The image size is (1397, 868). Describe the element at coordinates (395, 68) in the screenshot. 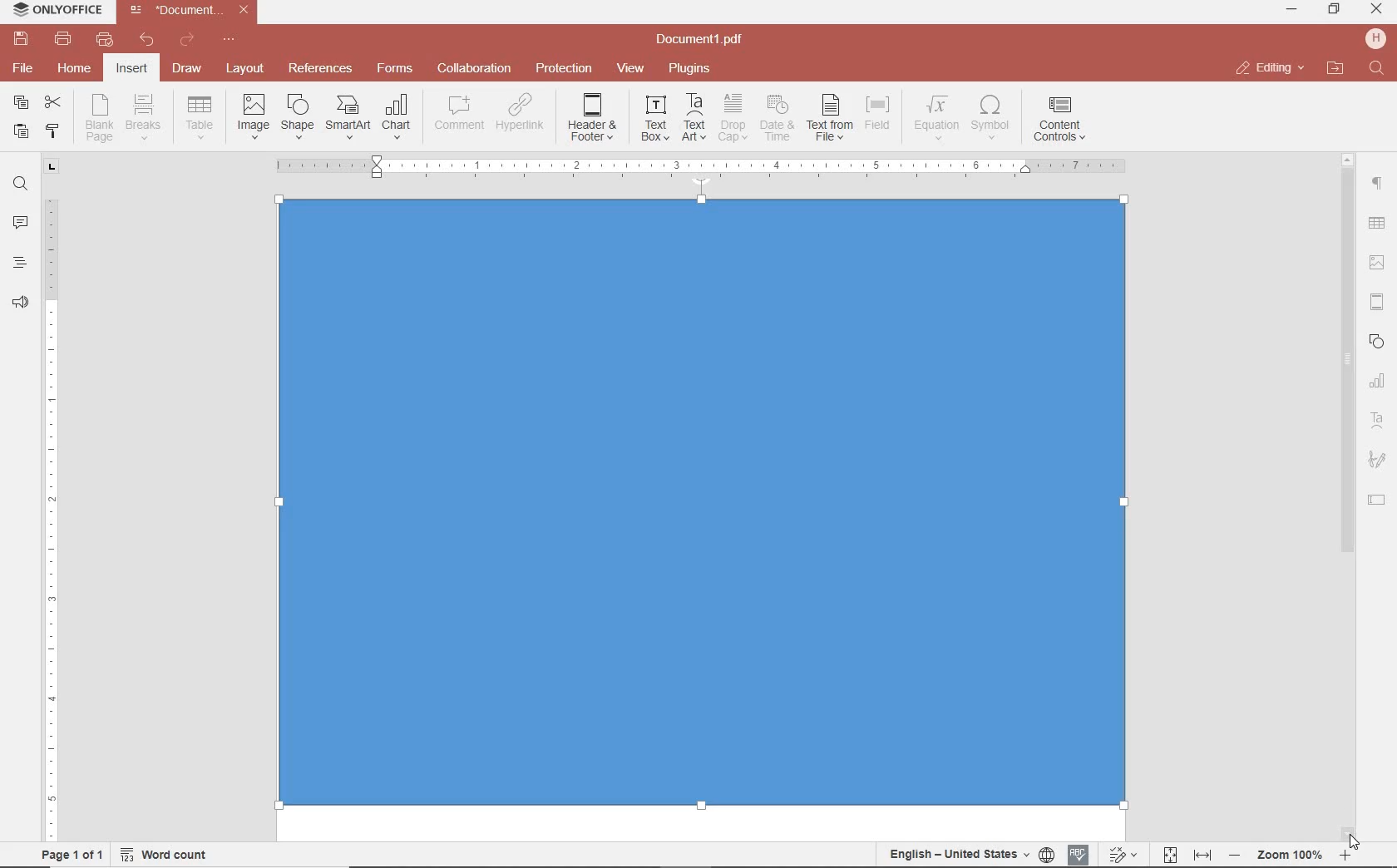

I see `forms` at that location.